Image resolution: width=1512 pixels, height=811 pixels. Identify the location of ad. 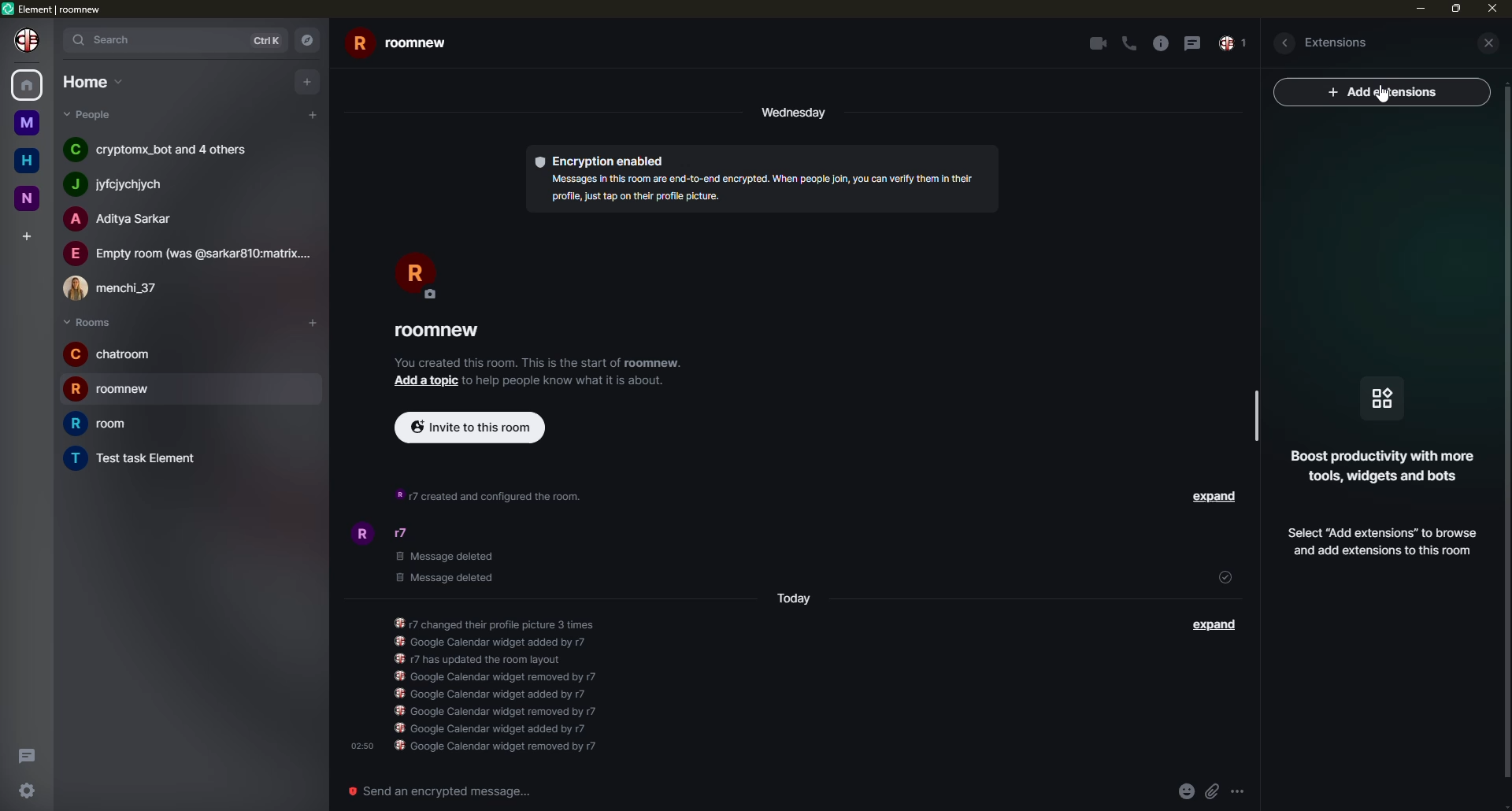
(1389, 93).